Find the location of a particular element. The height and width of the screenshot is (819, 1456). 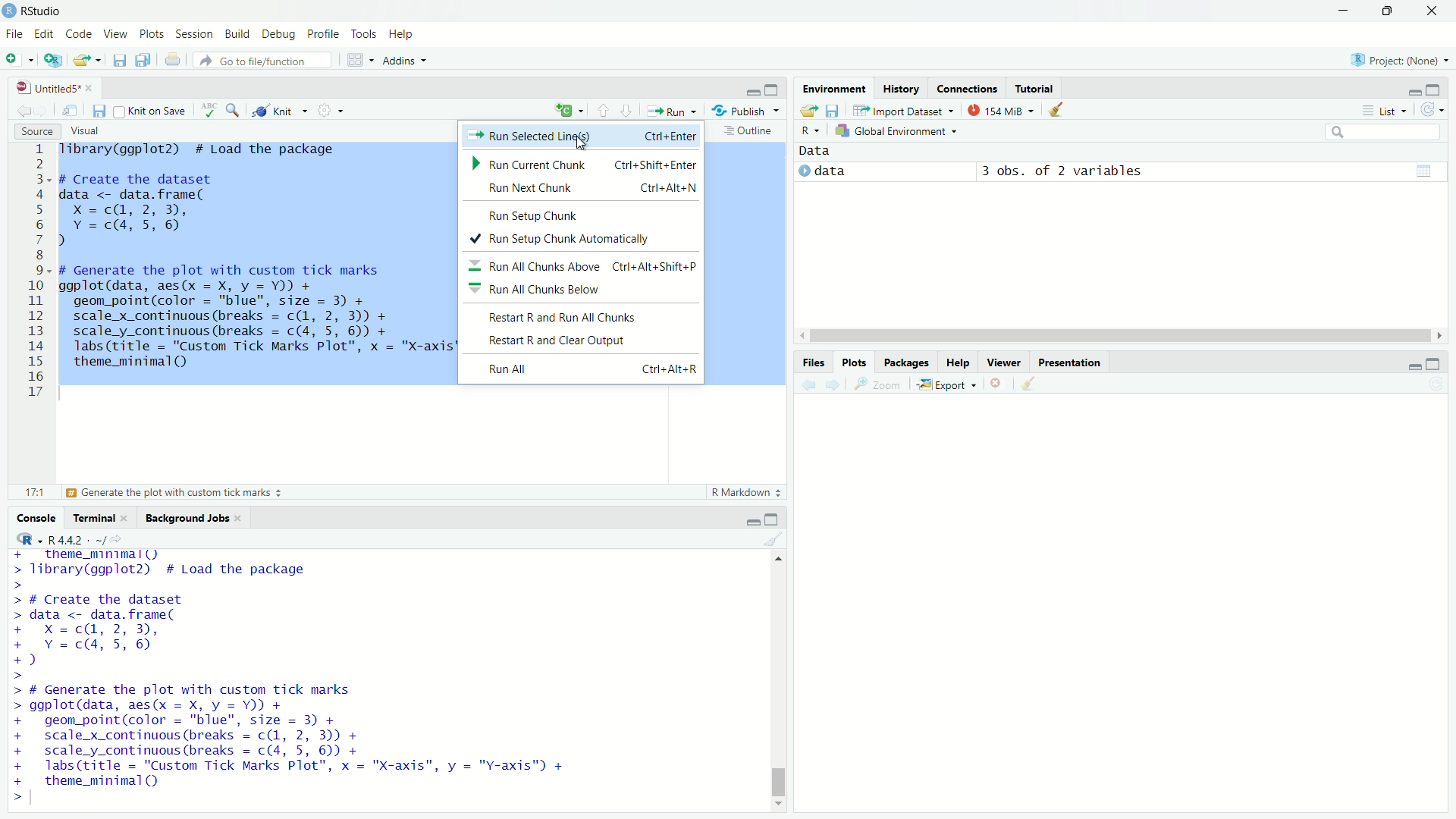

list is located at coordinates (1385, 110).